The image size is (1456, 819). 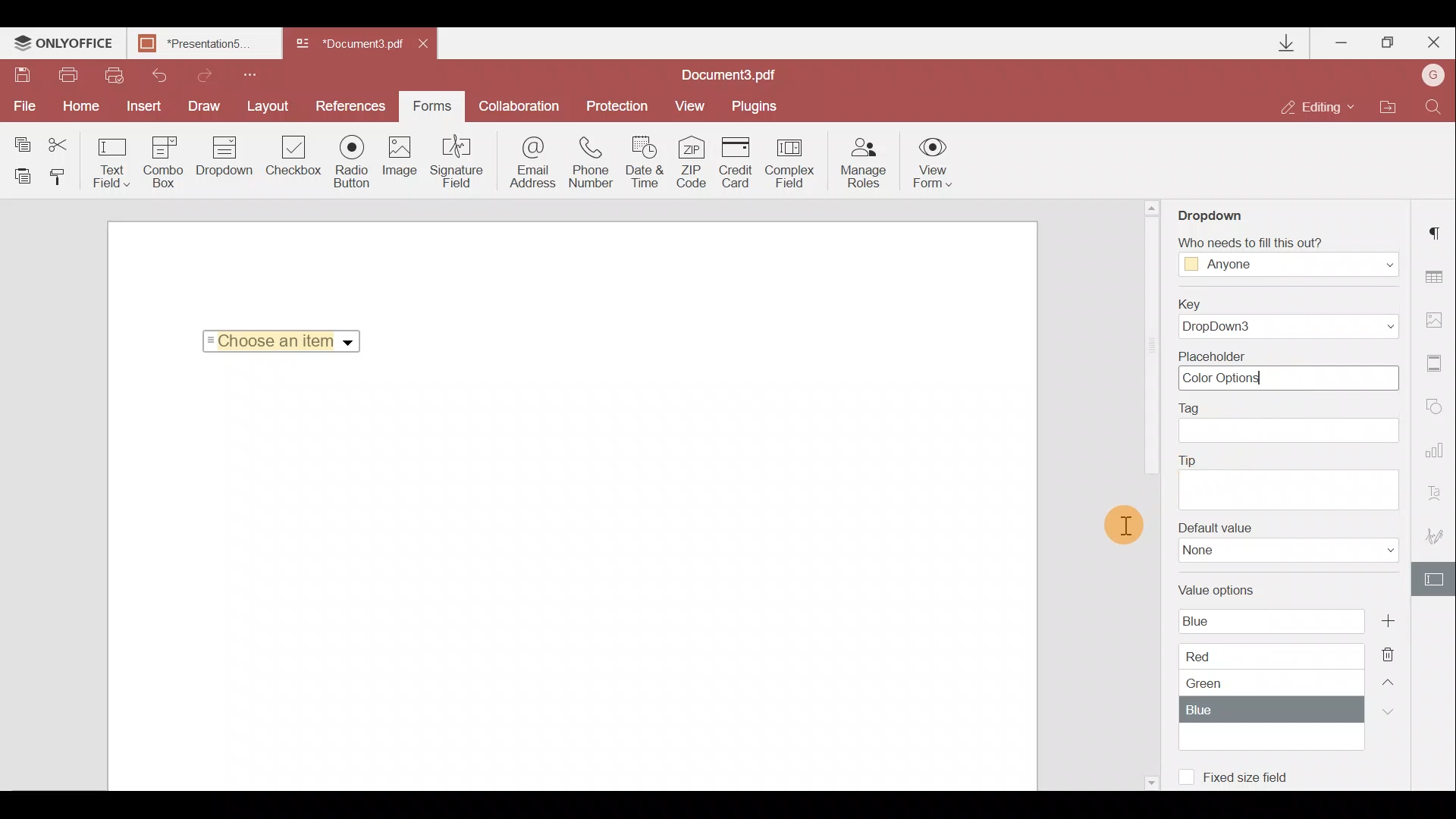 What do you see at coordinates (570, 579) in the screenshot?
I see `Working area` at bounding box center [570, 579].